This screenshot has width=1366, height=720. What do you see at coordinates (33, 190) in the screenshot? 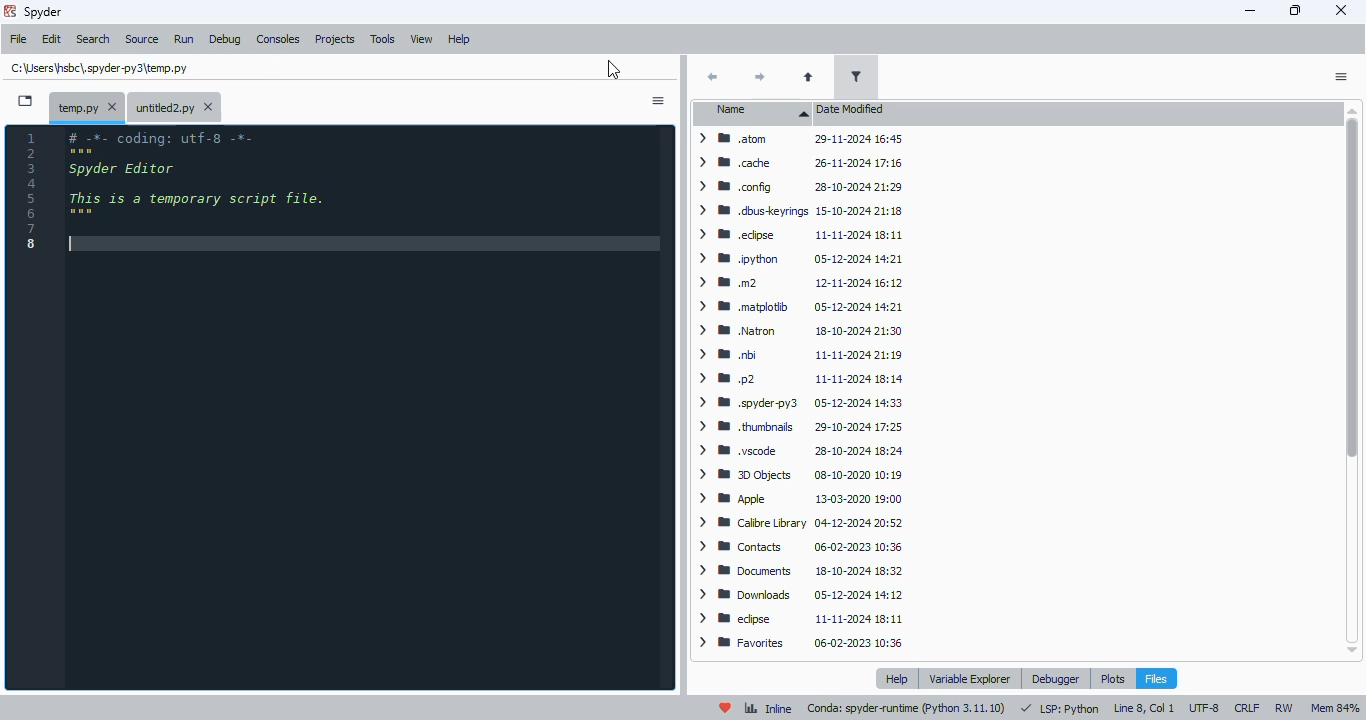
I see `line numbers` at bounding box center [33, 190].